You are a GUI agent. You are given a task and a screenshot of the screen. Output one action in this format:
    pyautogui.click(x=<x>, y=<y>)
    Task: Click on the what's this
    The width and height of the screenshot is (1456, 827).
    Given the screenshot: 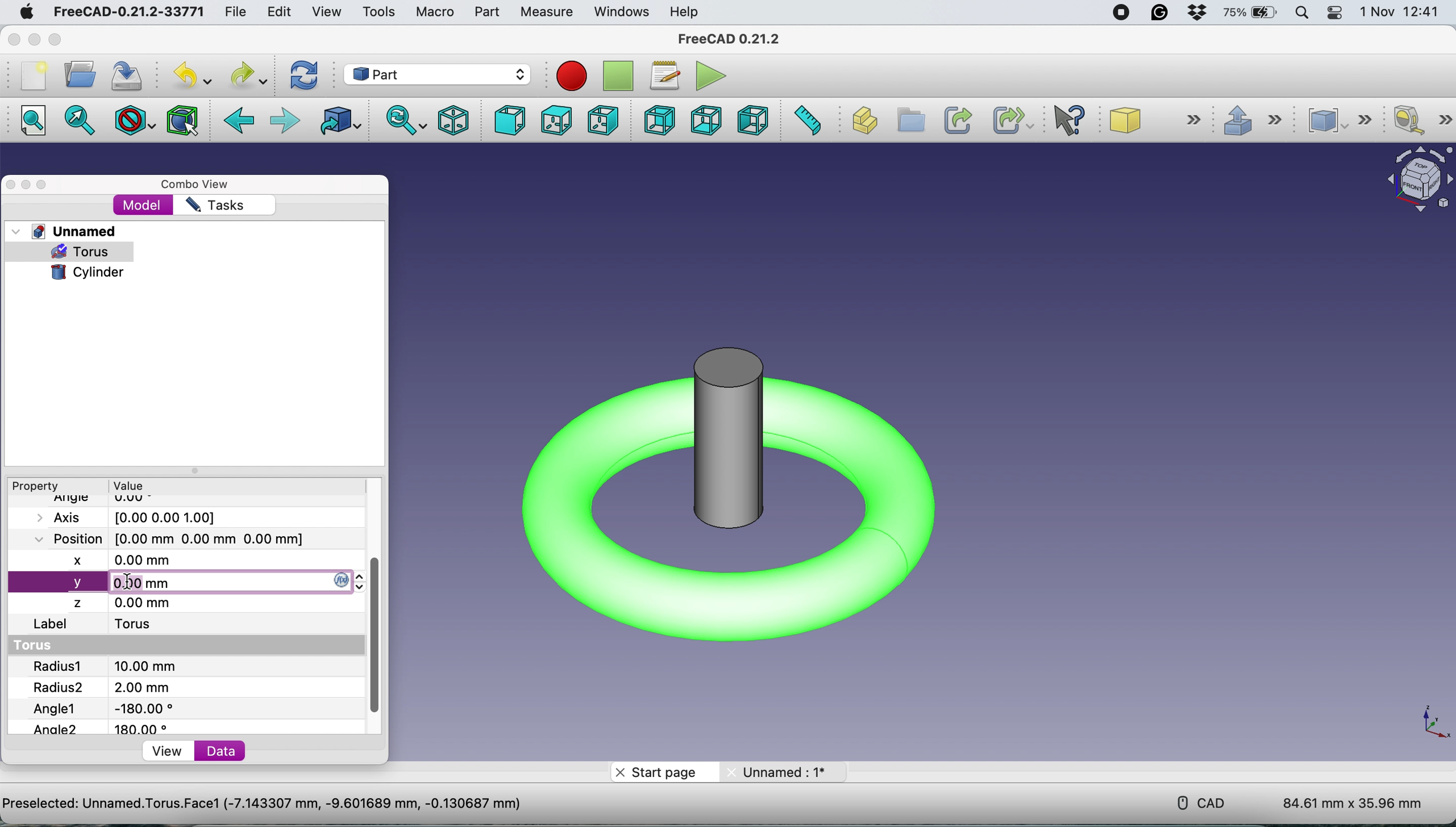 What is the action you would take?
    pyautogui.click(x=1076, y=120)
    